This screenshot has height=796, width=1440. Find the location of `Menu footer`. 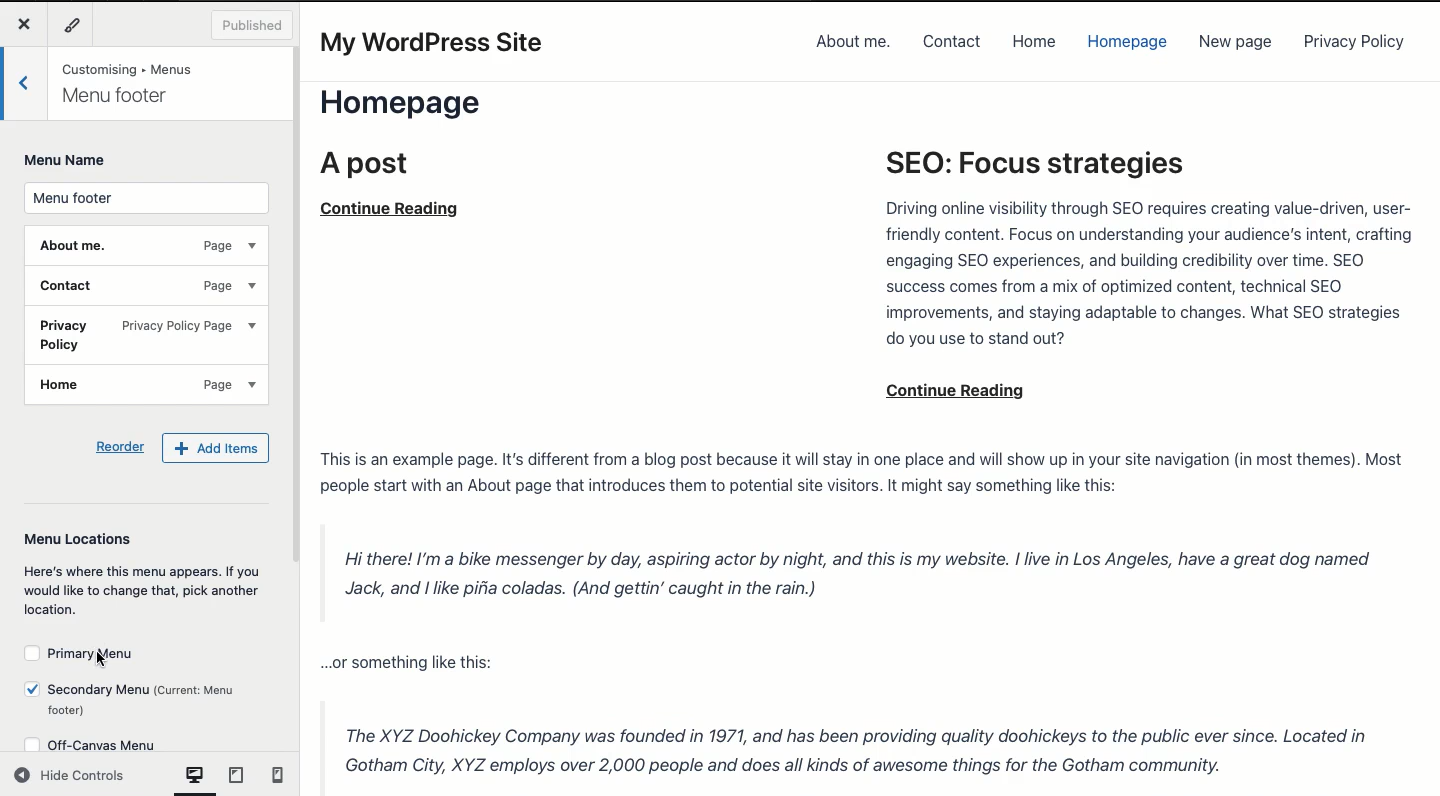

Menu footer is located at coordinates (146, 199).